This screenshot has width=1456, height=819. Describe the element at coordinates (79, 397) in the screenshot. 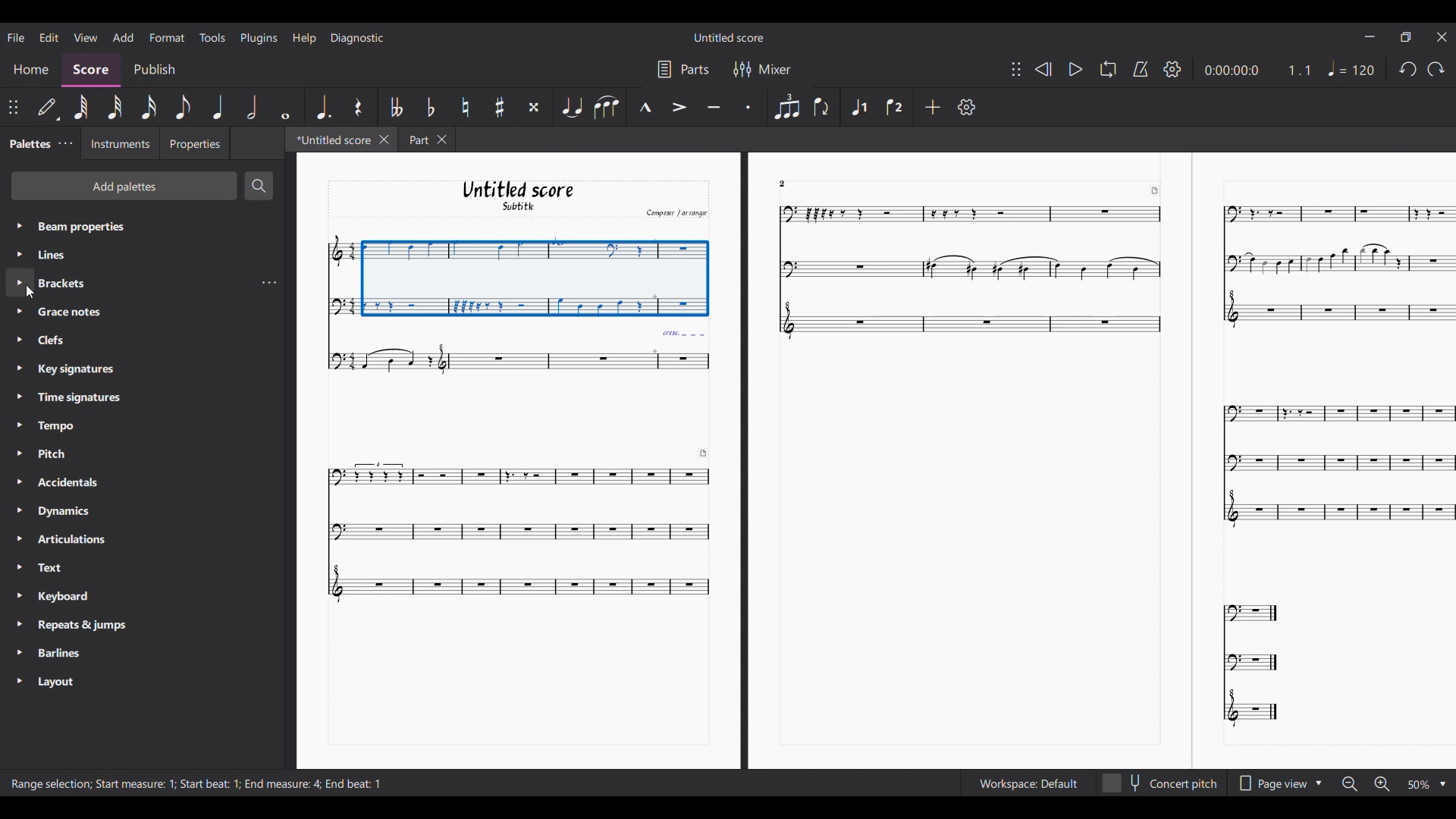

I see `Time Signatures` at that location.